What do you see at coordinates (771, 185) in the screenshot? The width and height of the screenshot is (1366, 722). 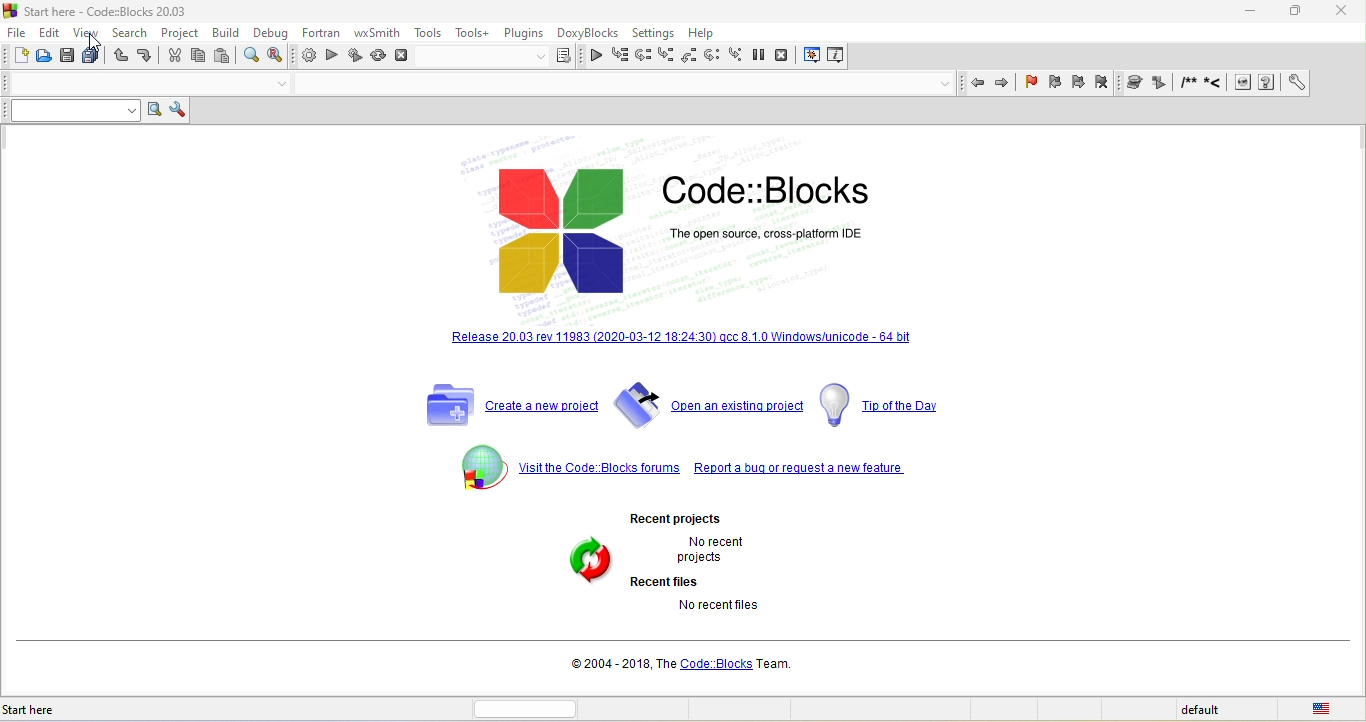 I see `code blocks ` at bounding box center [771, 185].